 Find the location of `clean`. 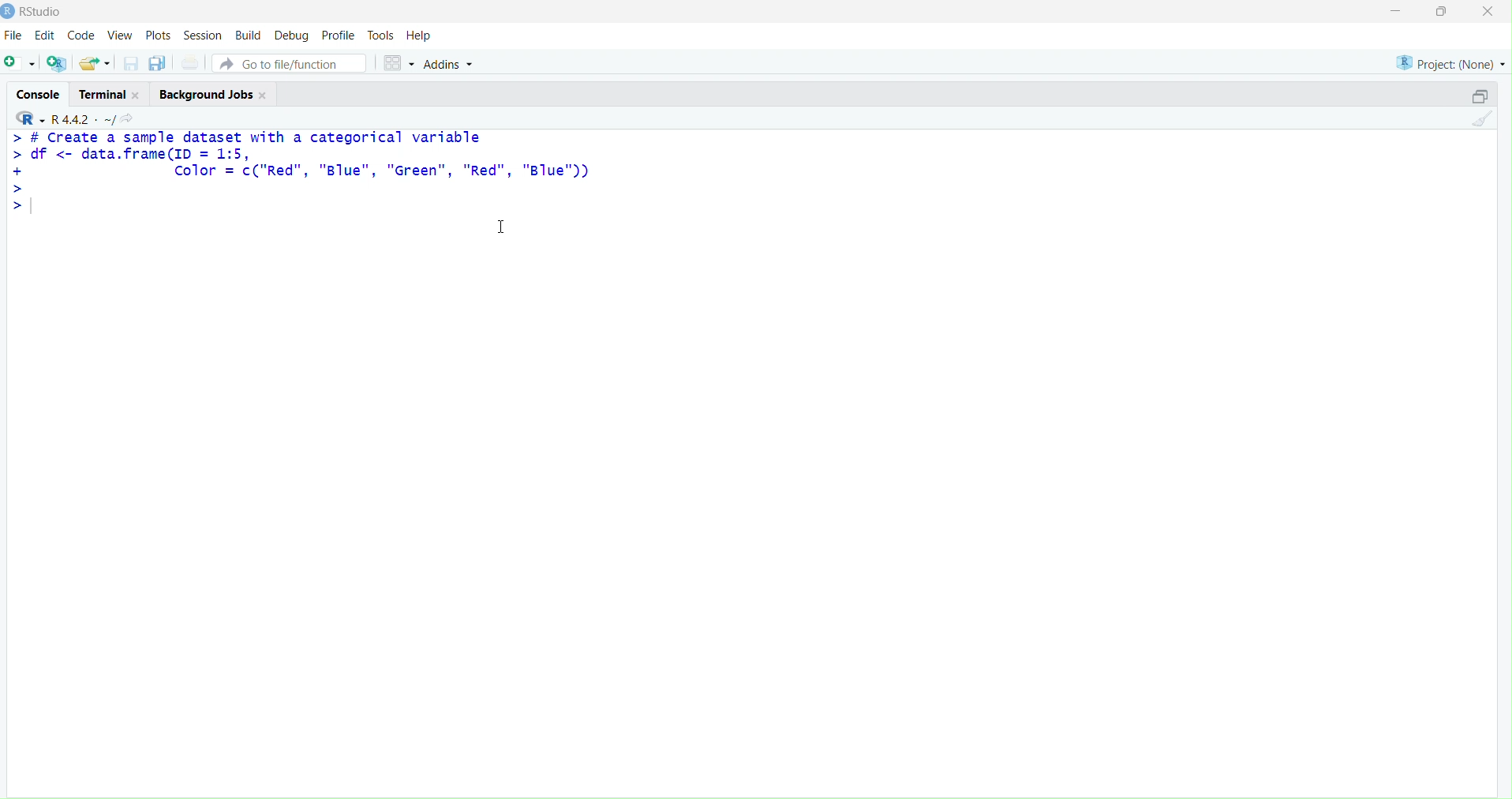

clean is located at coordinates (1482, 118).